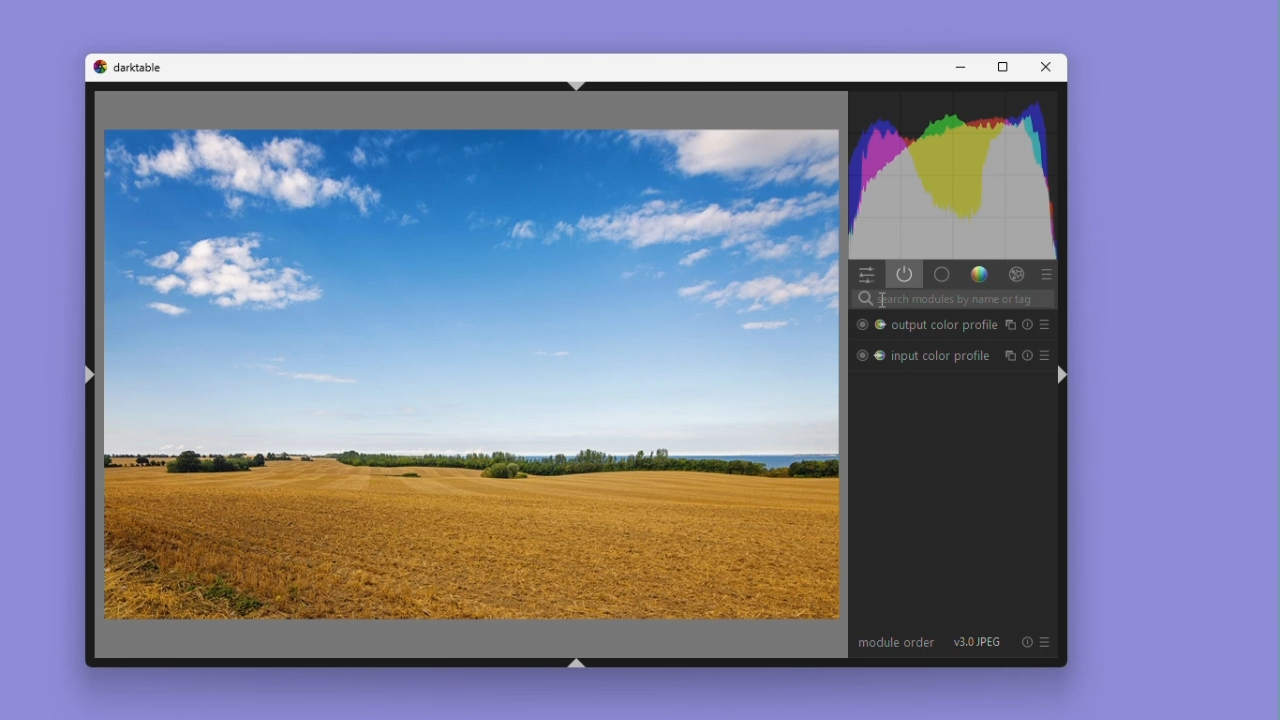 This screenshot has height=720, width=1280. Describe the element at coordinates (1001, 67) in the screenshot. I see `Maximize` at that location.